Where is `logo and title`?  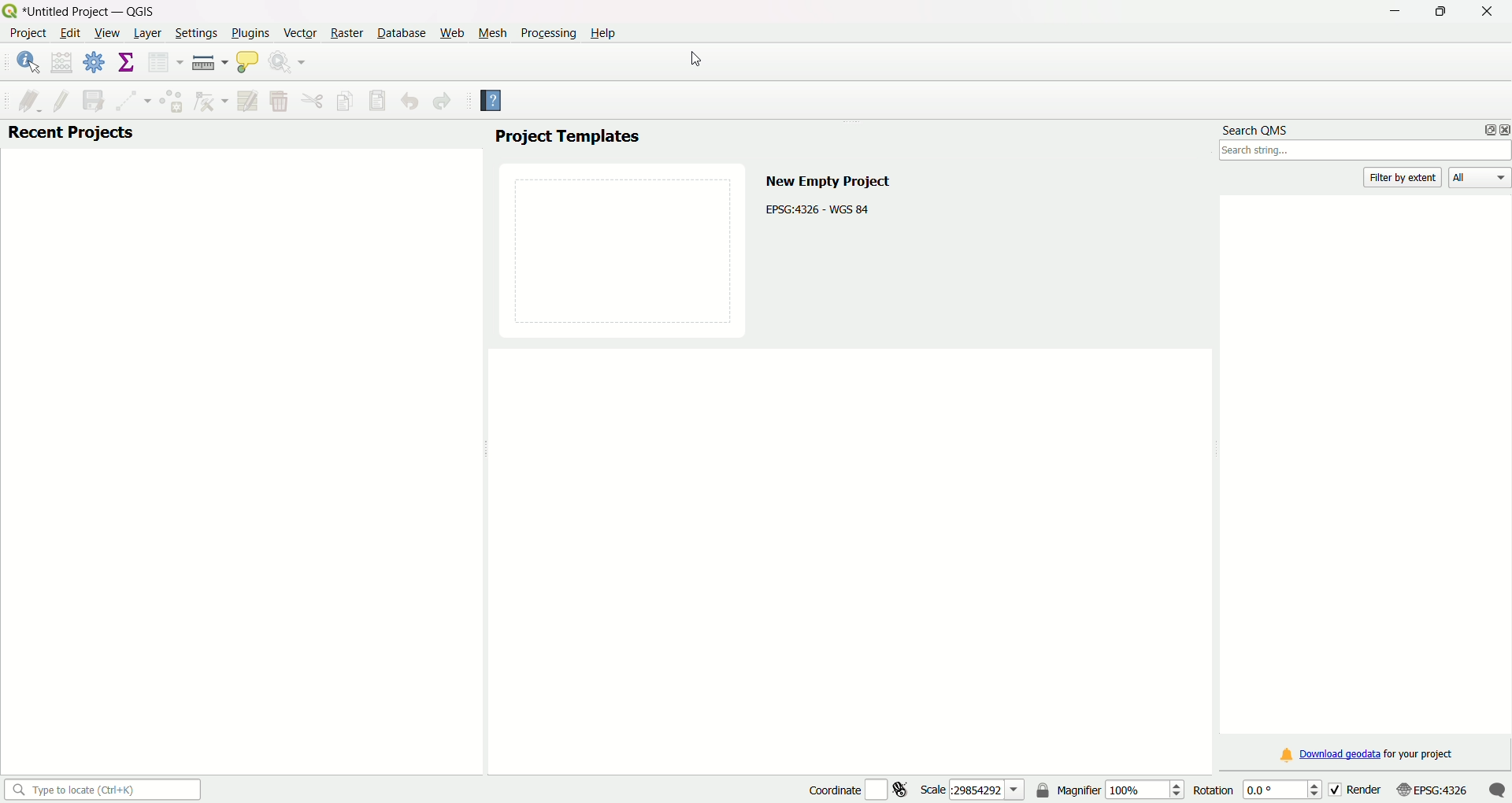 logo and title is located at coordinates (82, 10).